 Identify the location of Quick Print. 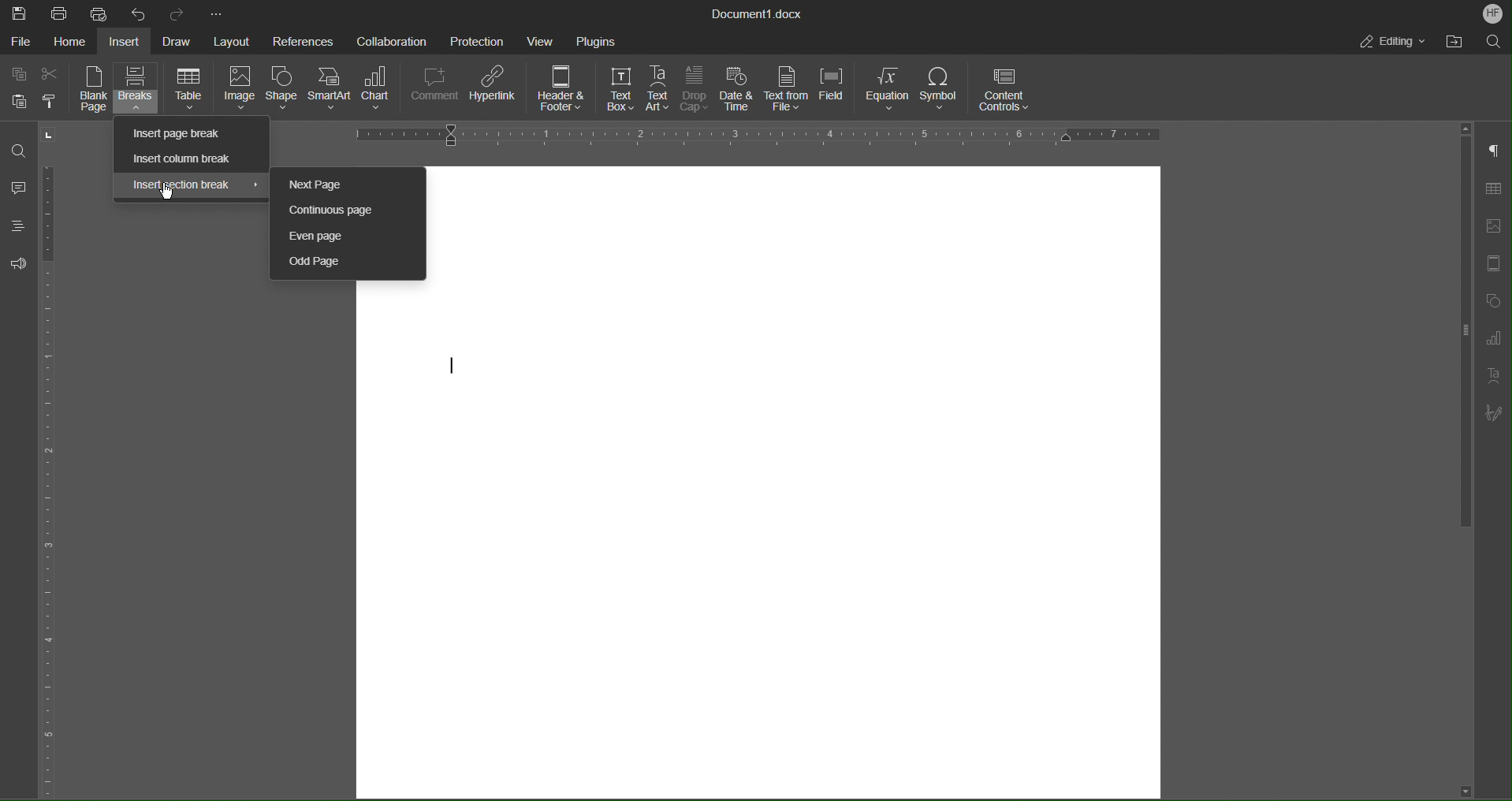
(99, 13).